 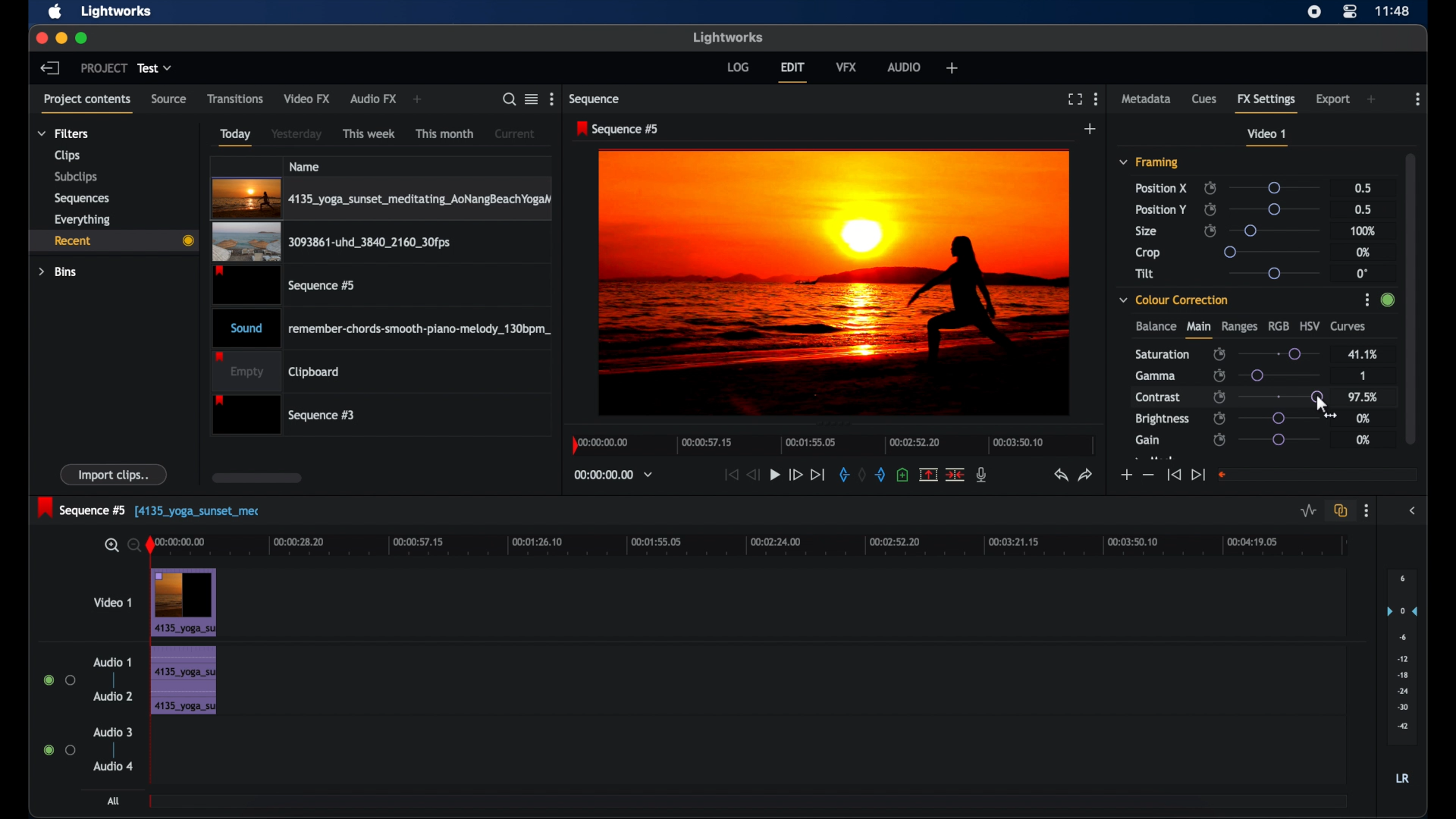 What do you see at coordinates (1274, 230) in the screenshot?
I see `slider` at bounding box center [1274, 230].